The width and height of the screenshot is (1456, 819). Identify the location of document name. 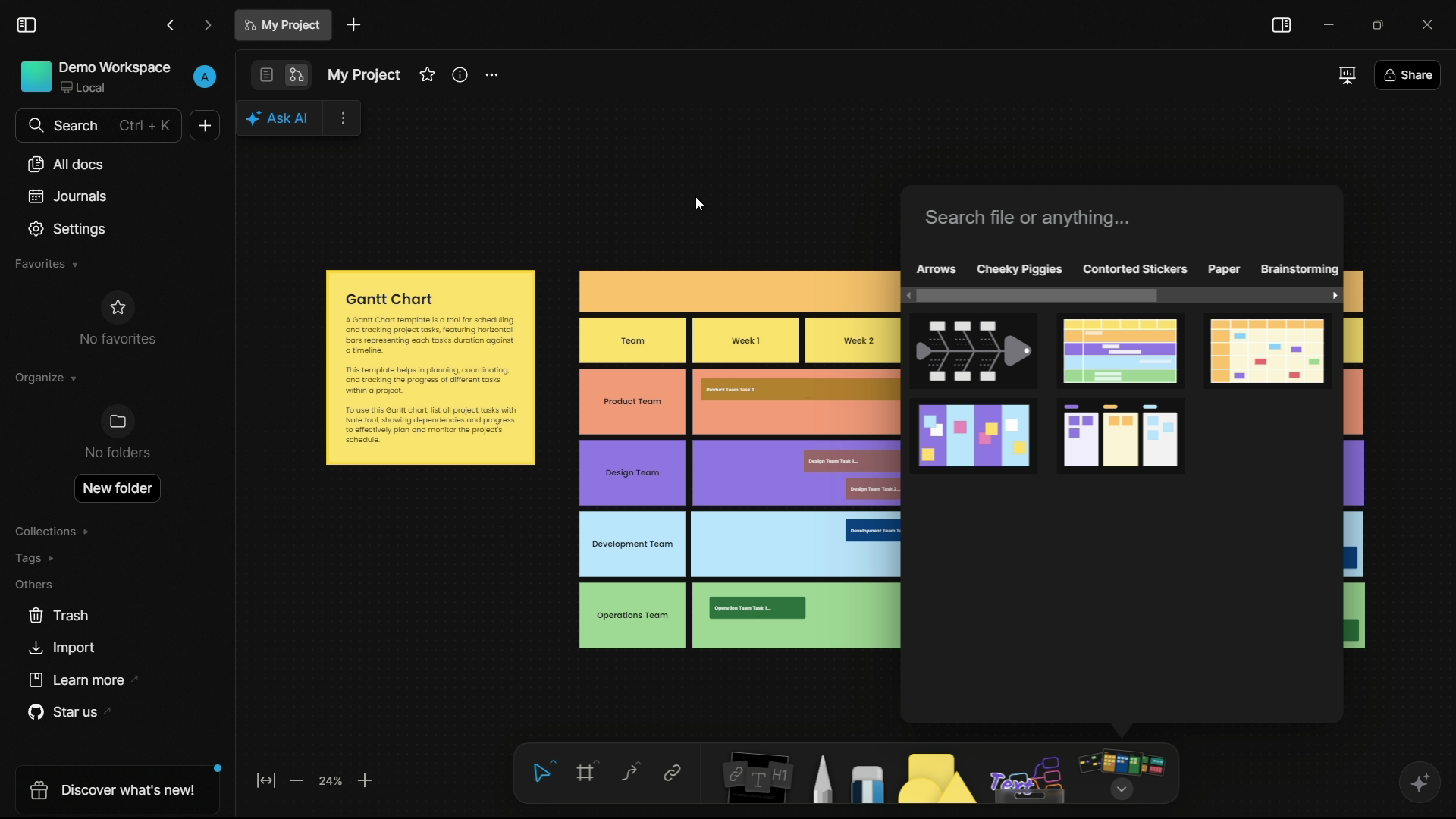
(283, 25).